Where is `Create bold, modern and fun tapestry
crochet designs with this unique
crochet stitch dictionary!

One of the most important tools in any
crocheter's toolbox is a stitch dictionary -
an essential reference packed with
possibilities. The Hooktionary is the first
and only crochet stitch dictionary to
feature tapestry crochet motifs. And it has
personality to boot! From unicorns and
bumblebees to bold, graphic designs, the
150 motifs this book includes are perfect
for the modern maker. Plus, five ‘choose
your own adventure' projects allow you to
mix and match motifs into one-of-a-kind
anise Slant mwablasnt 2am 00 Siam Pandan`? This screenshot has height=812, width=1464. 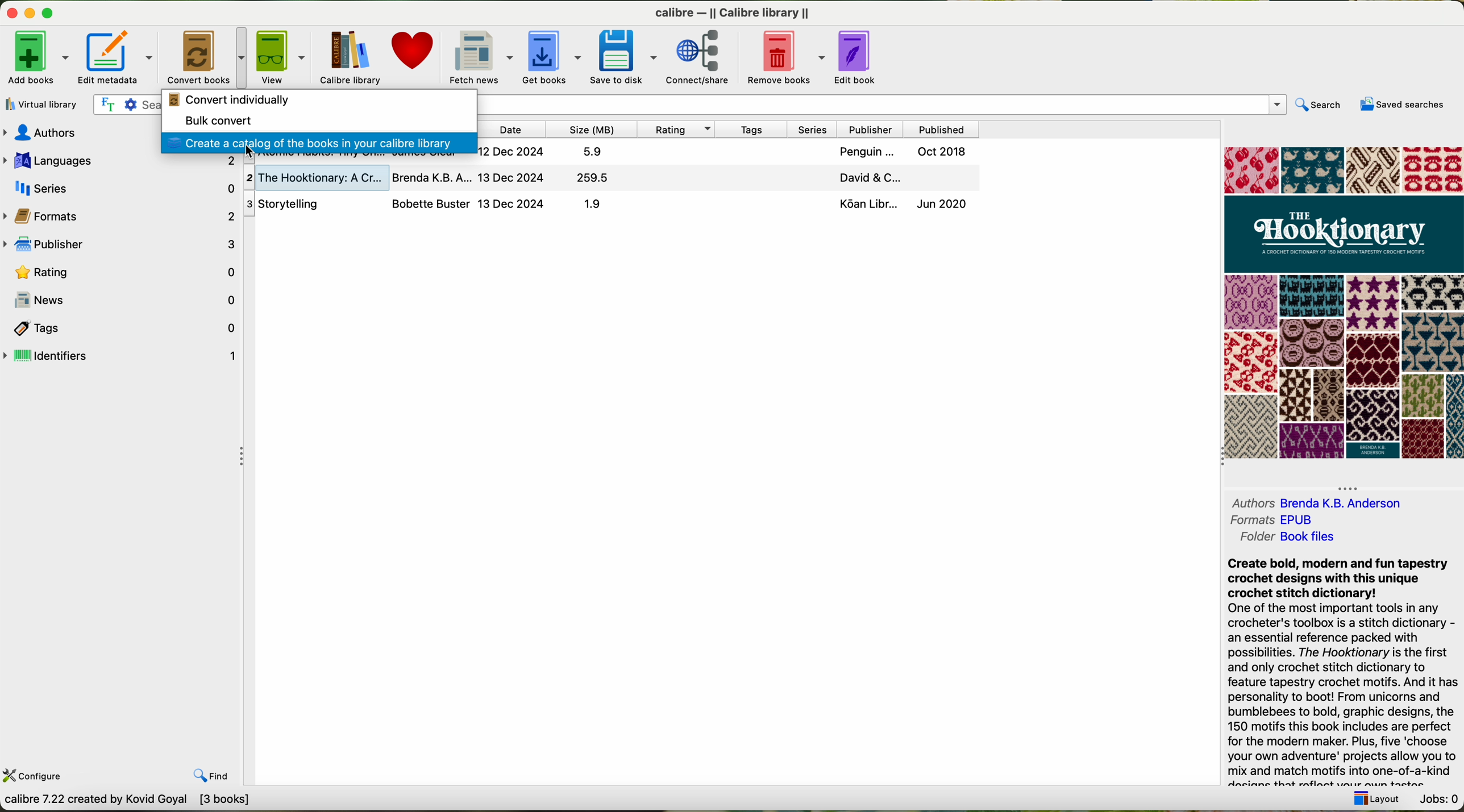
Create bold, modern and fun tapestry
crochet designs with this unique
crochet stitch dictionary!

One of the most important tools in any
crocheter's toolbox is a stitch dictionary -
an essential reference packed with
possibilities. The Hooktionary is the first
and only crochet stitch dictionary to
feature tapestry crochet motifs. And it has
personality to boot! From unicorns and
bumblebees to bold, graphic designs, the
150 motifs this book includes are perfect
for the modern maker. Plus, five ‘choose
your own adventure' projects allow you to
mix and match motifs into one-of-a-kind
anise Slant mwablasnt 2am 00 Siam Pandan is located at coordinates (1334, 669).